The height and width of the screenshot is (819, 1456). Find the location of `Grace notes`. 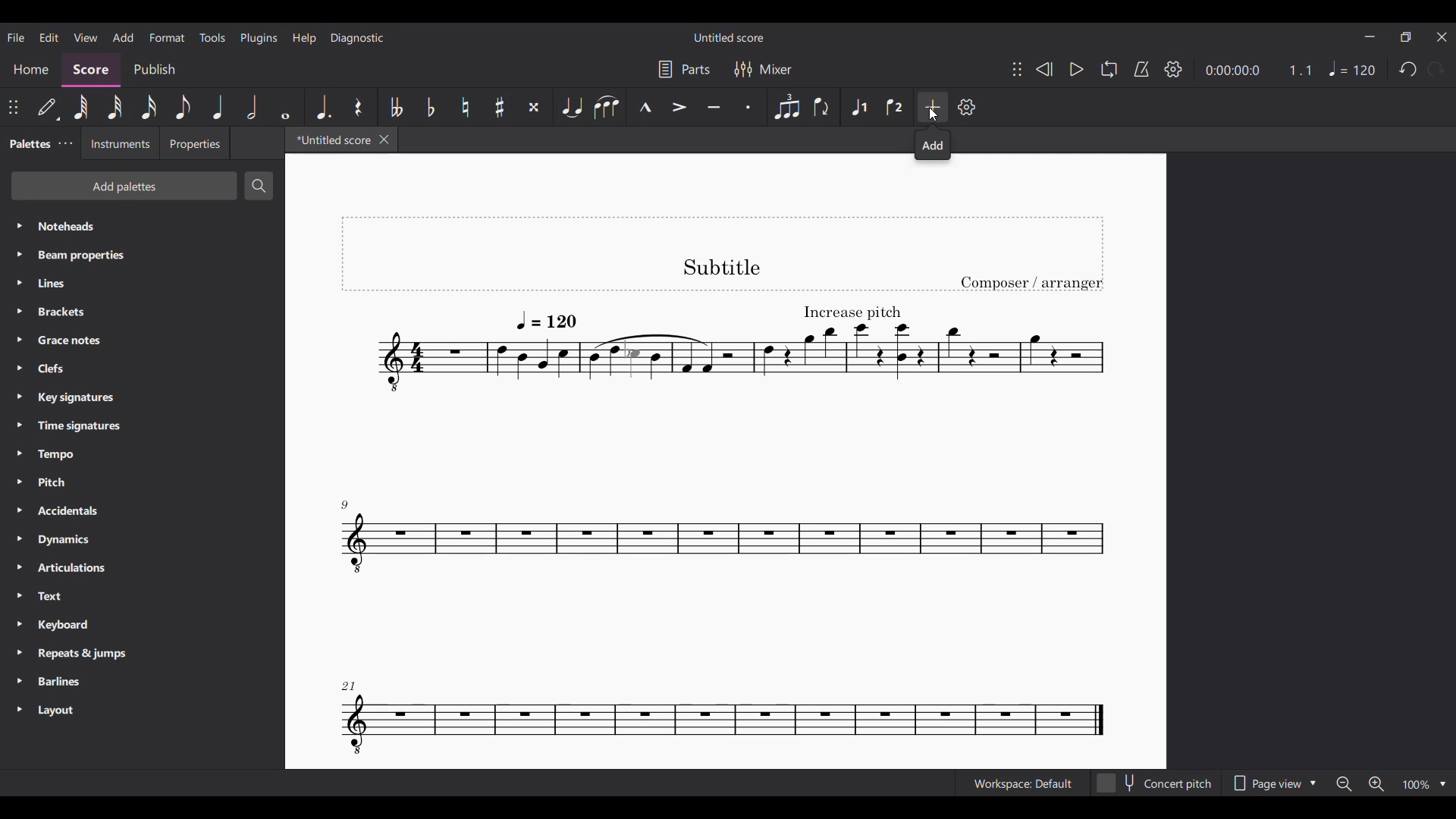

Grace notes is located at coordinates (142, 340).